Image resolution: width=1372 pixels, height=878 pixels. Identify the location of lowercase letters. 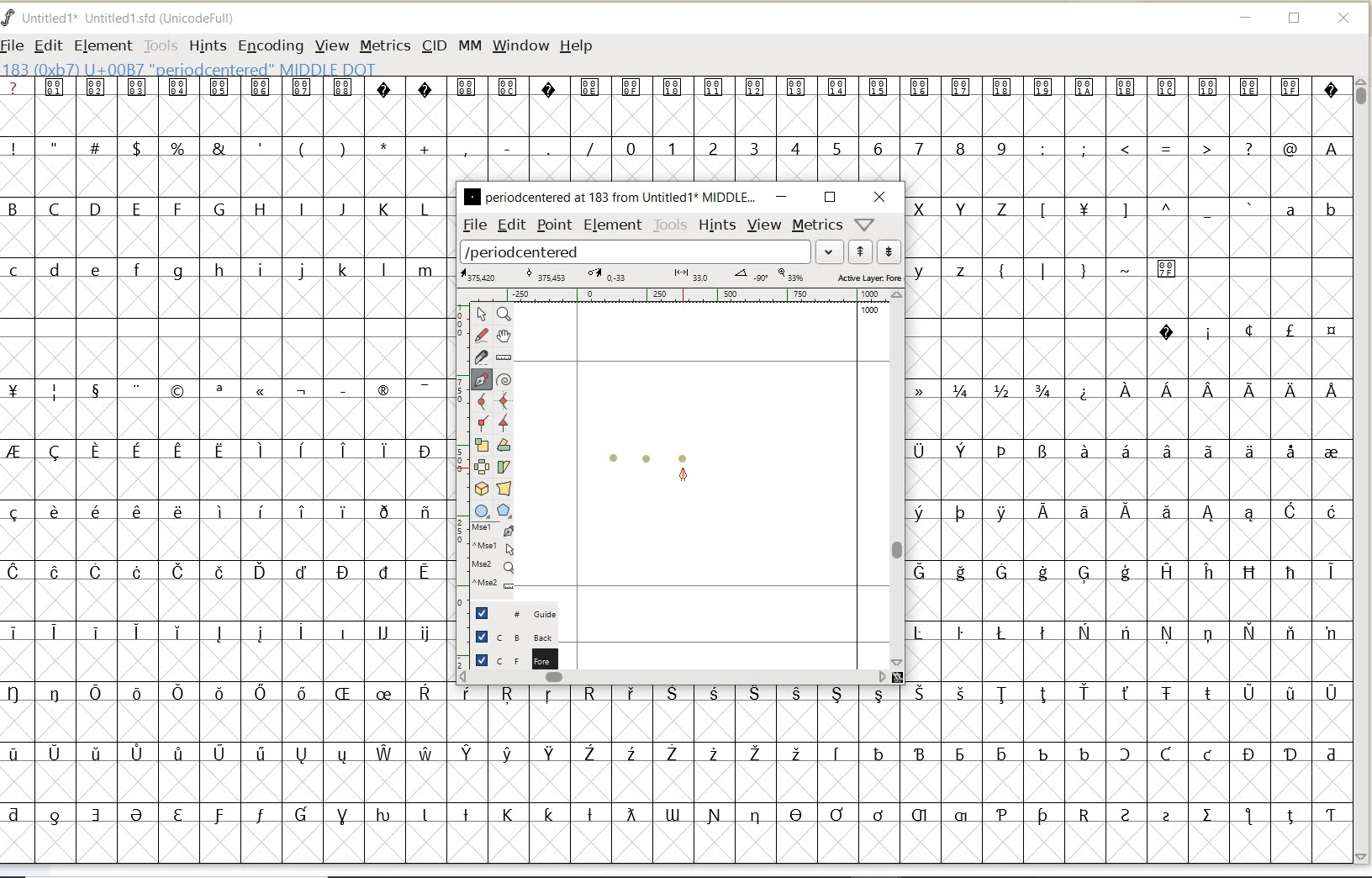
(950, 269).